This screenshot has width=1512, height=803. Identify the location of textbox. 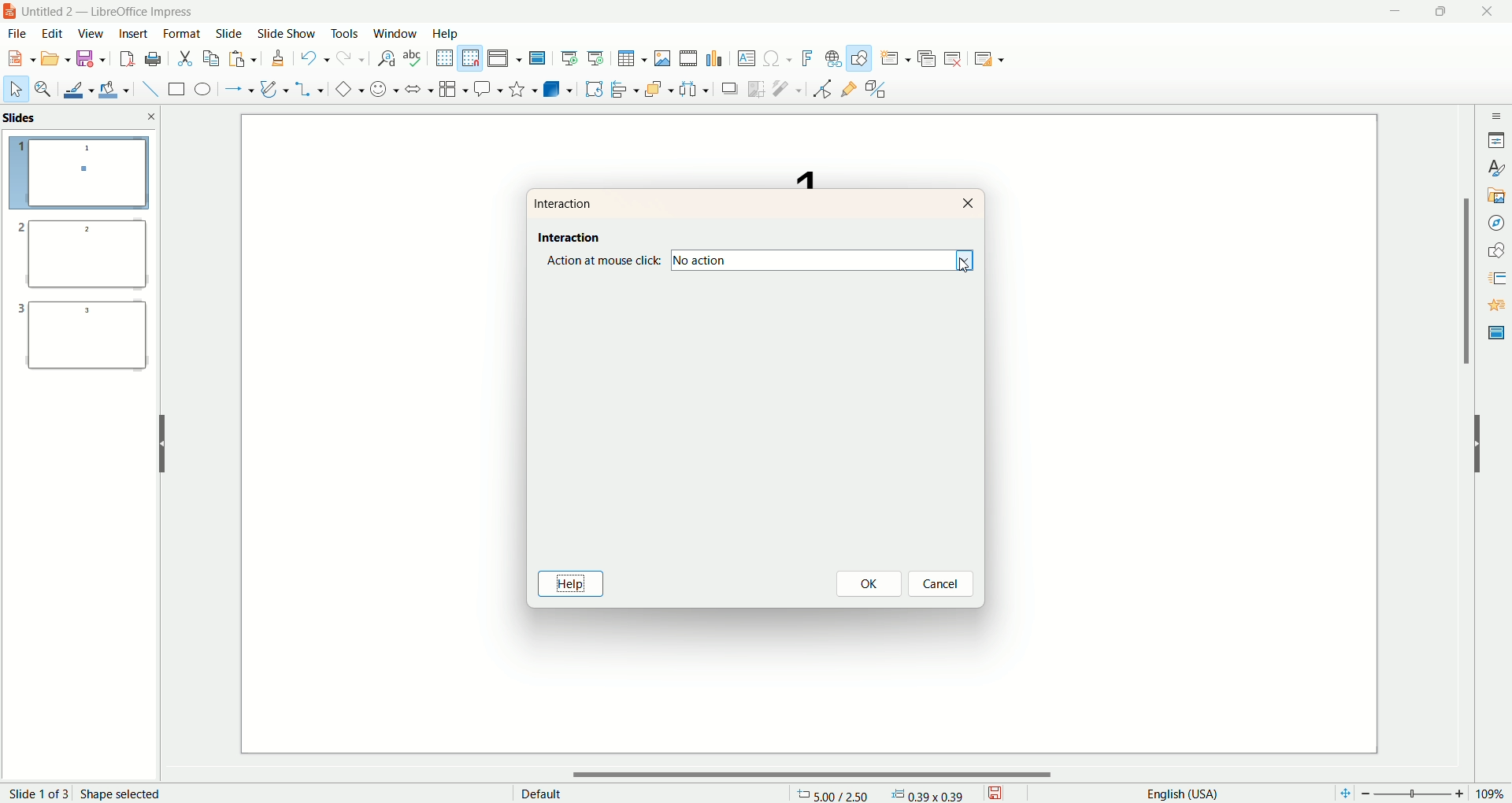
(746, 58).